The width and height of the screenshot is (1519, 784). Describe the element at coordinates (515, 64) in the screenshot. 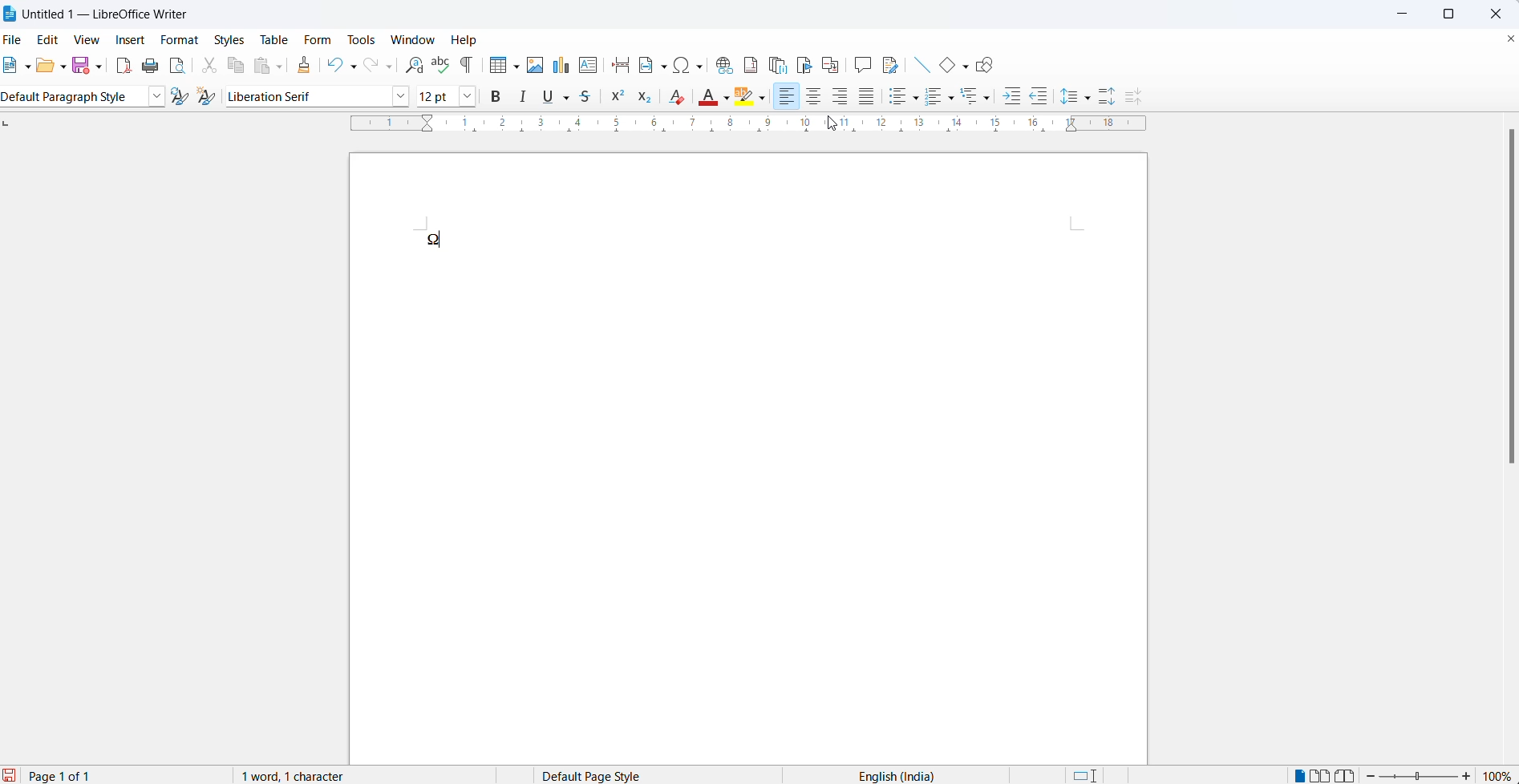

I see `cell grid` at that location.